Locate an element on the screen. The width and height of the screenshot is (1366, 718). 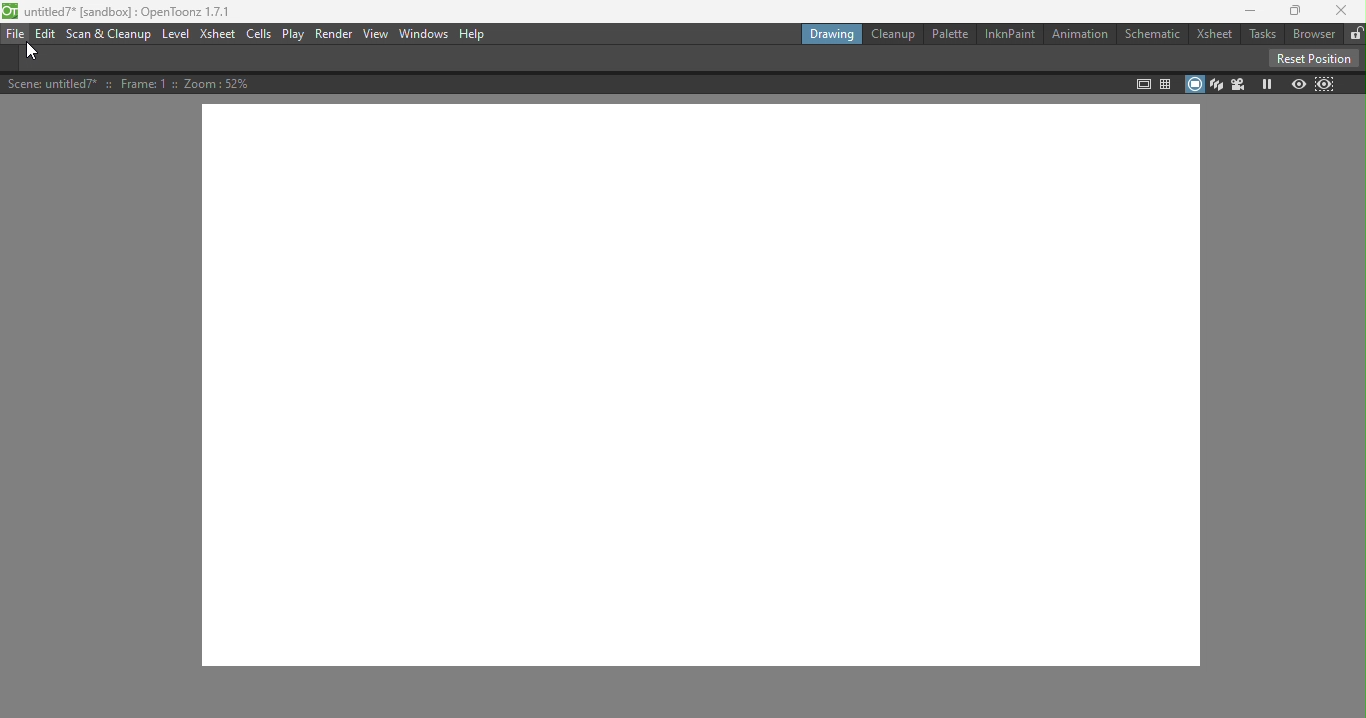
3D view is located at coordinates (1215, 83).